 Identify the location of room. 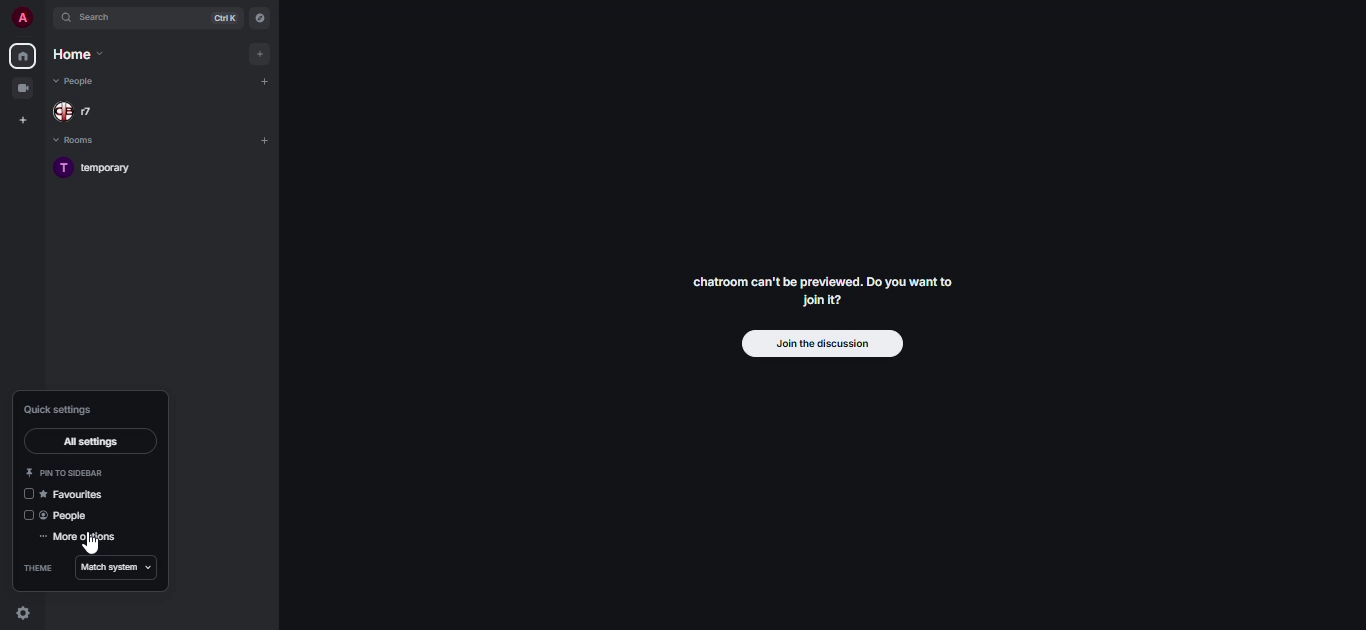
(98, 169).